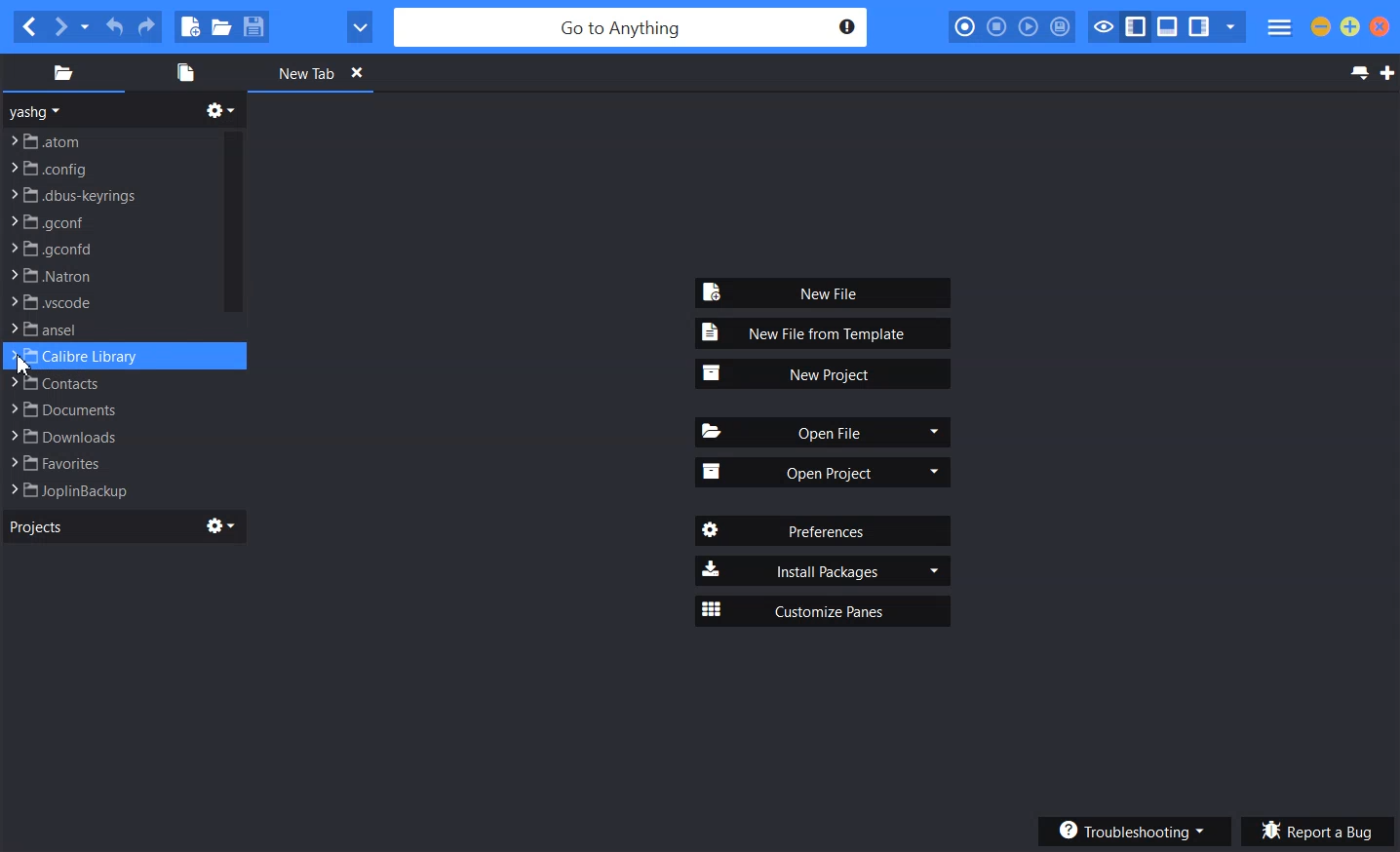 Image resolution: width=1400 pixels, height=852 pixels. What do you see at coordinates (108, 357) in the screenshot?
I see `File` at bounding box center [108, 357].